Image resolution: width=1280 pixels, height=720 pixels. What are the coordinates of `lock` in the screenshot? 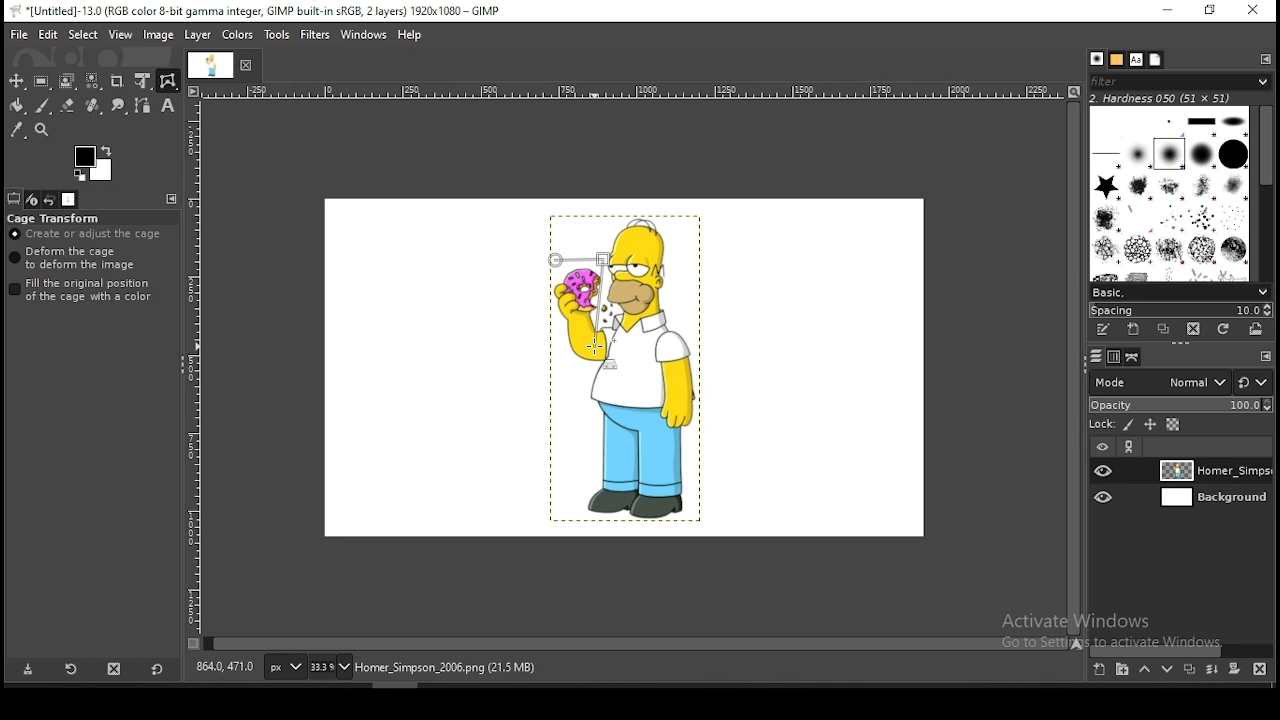 It's located at (1100, 425).